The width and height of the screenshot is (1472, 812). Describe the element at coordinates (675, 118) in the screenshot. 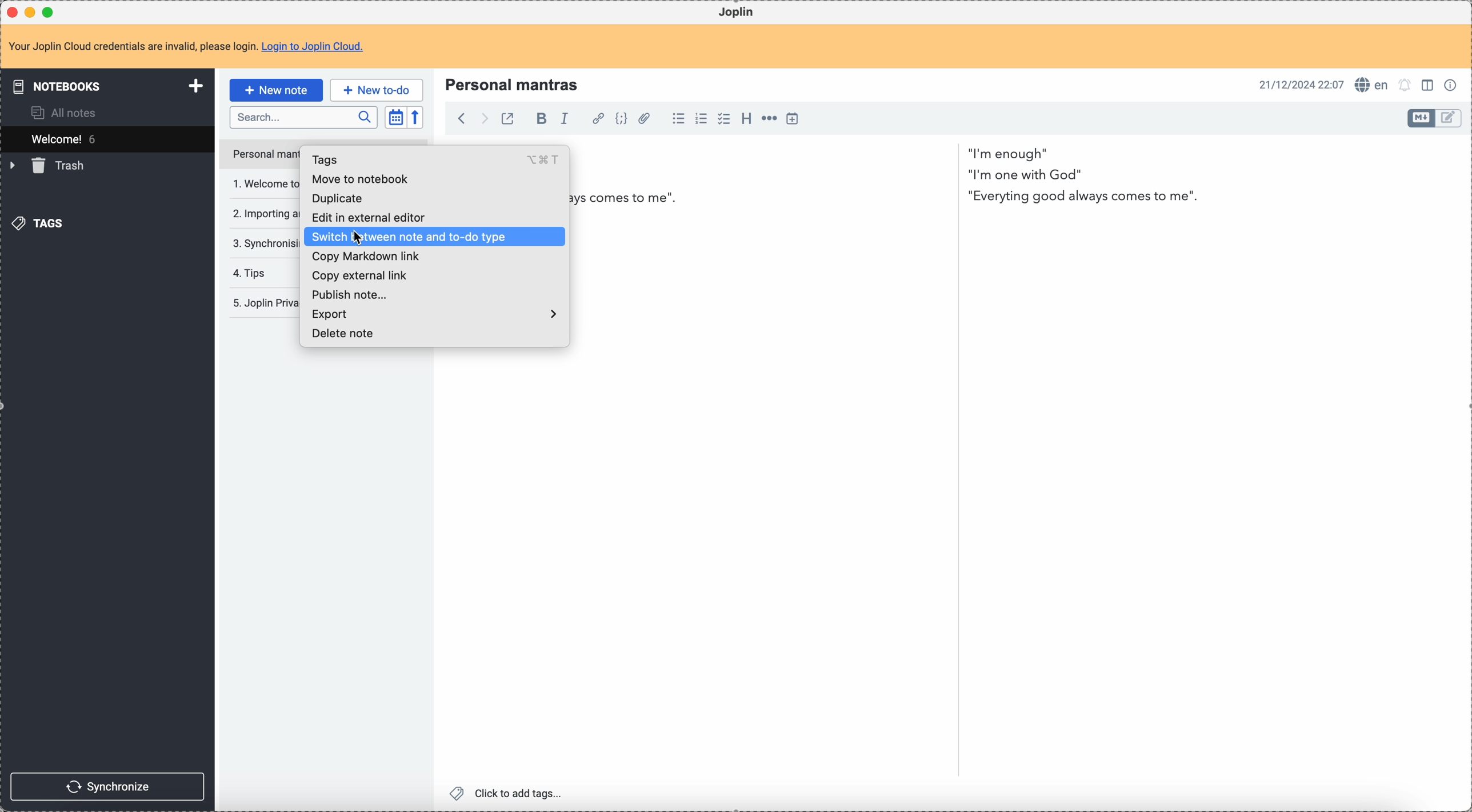

I see `bulleted list` at that location.